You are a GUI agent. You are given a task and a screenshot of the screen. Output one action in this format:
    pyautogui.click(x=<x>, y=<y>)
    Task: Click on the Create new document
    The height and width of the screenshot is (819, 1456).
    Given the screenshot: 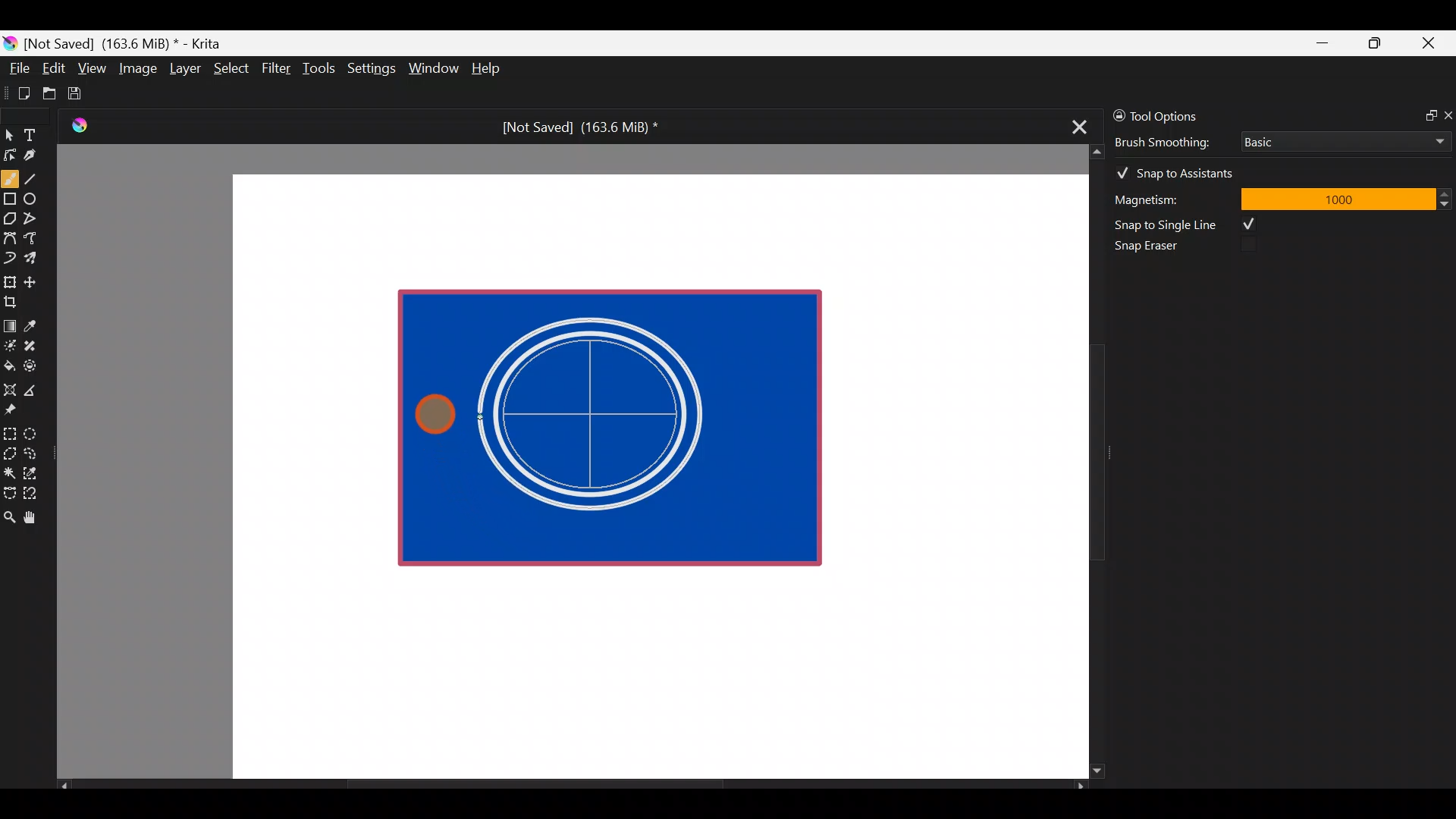 What is the action you would take?
    pyautogui.click(x=19, y=93)
    